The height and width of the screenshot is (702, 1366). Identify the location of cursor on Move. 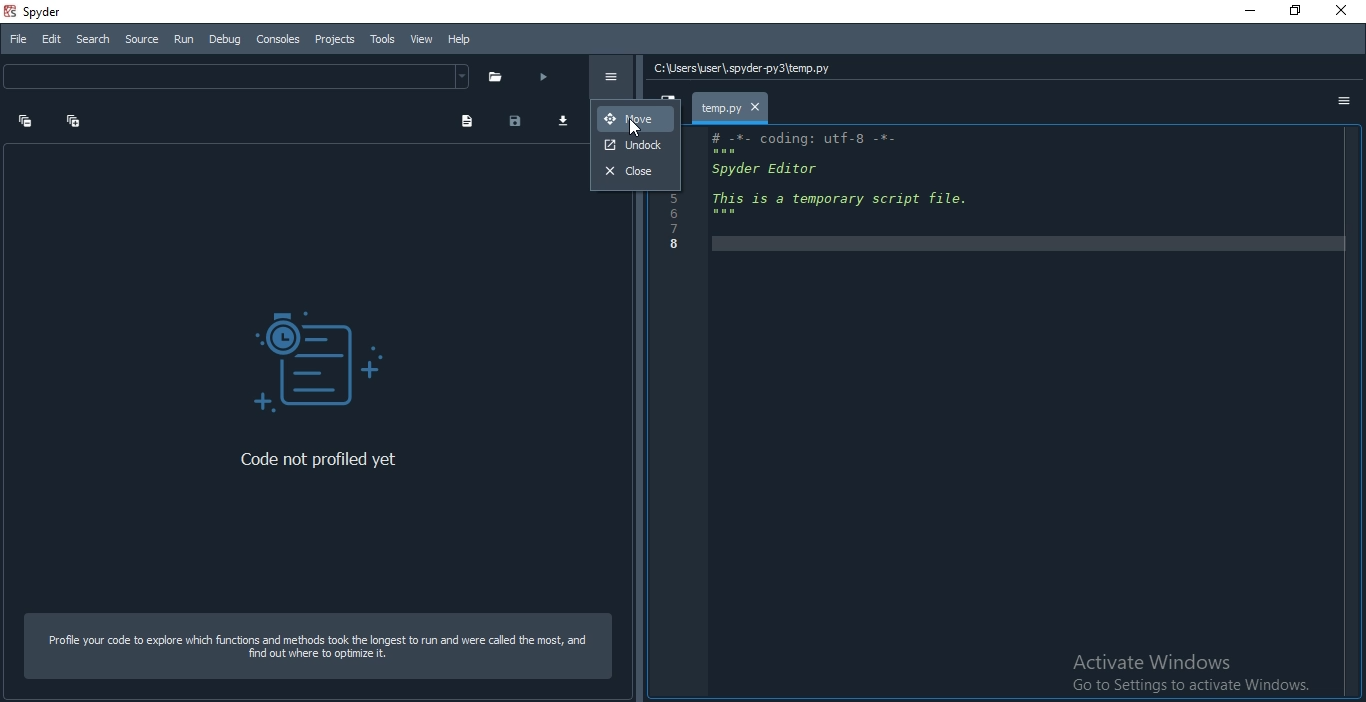
(636, 130).